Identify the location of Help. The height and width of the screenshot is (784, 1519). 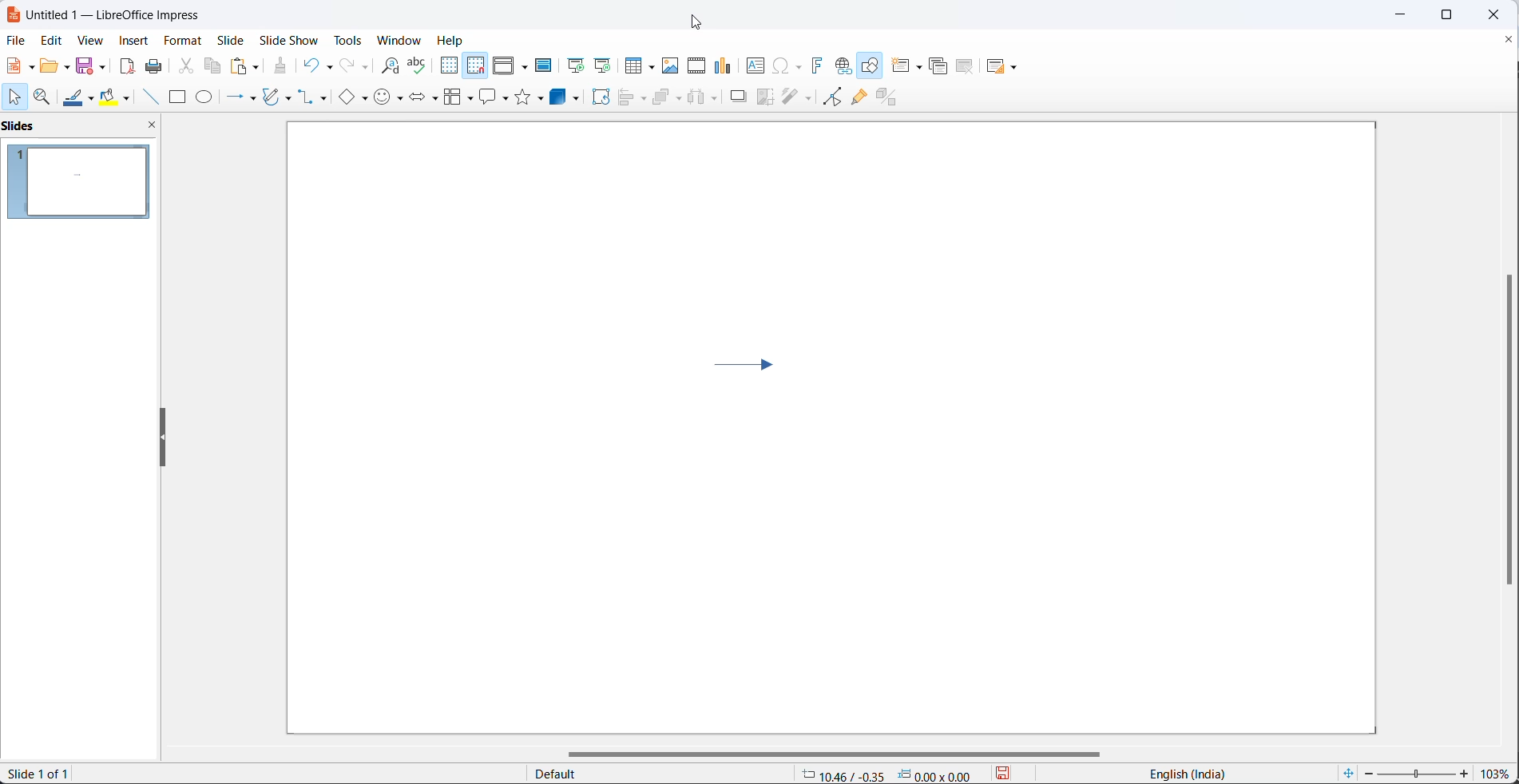
(452, 41).